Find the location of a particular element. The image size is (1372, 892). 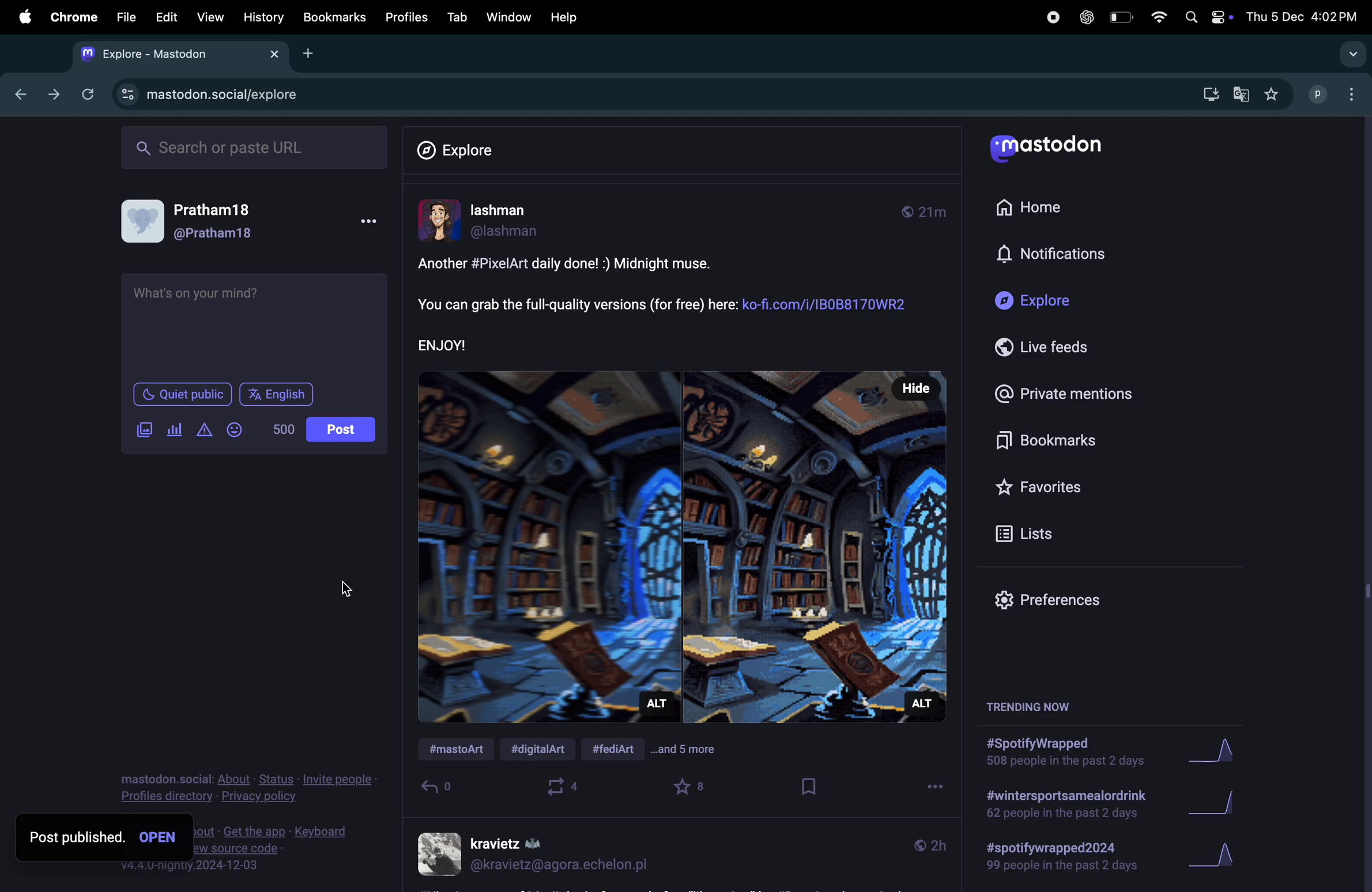

bookmarks is located at coordinates (334, 18).